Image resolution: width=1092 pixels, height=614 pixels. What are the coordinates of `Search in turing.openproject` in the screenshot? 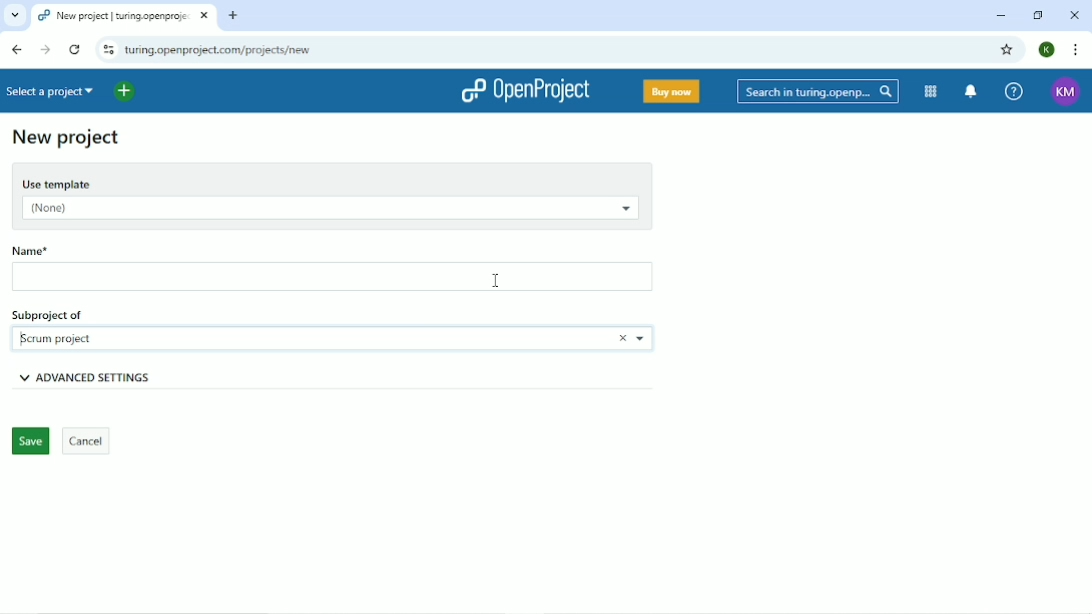 It's located at (816, 91).